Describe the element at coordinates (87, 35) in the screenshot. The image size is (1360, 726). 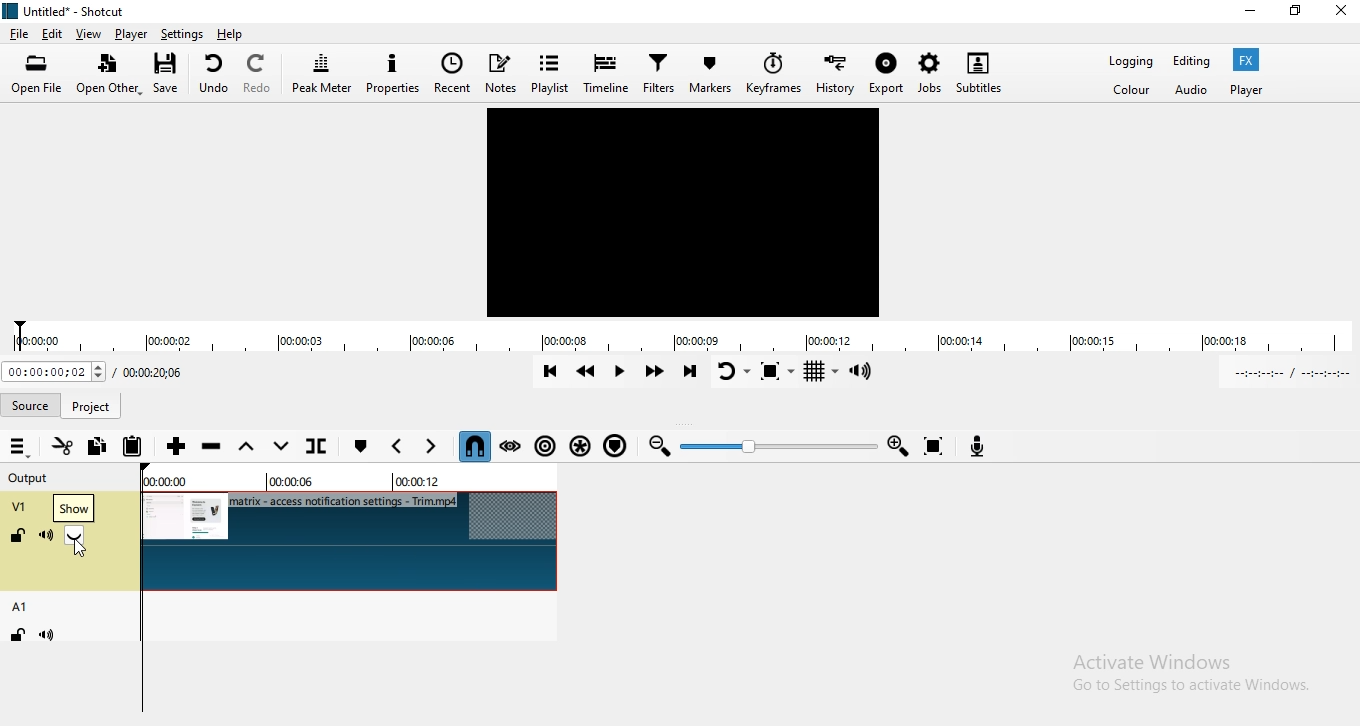
I see `View` at that location.